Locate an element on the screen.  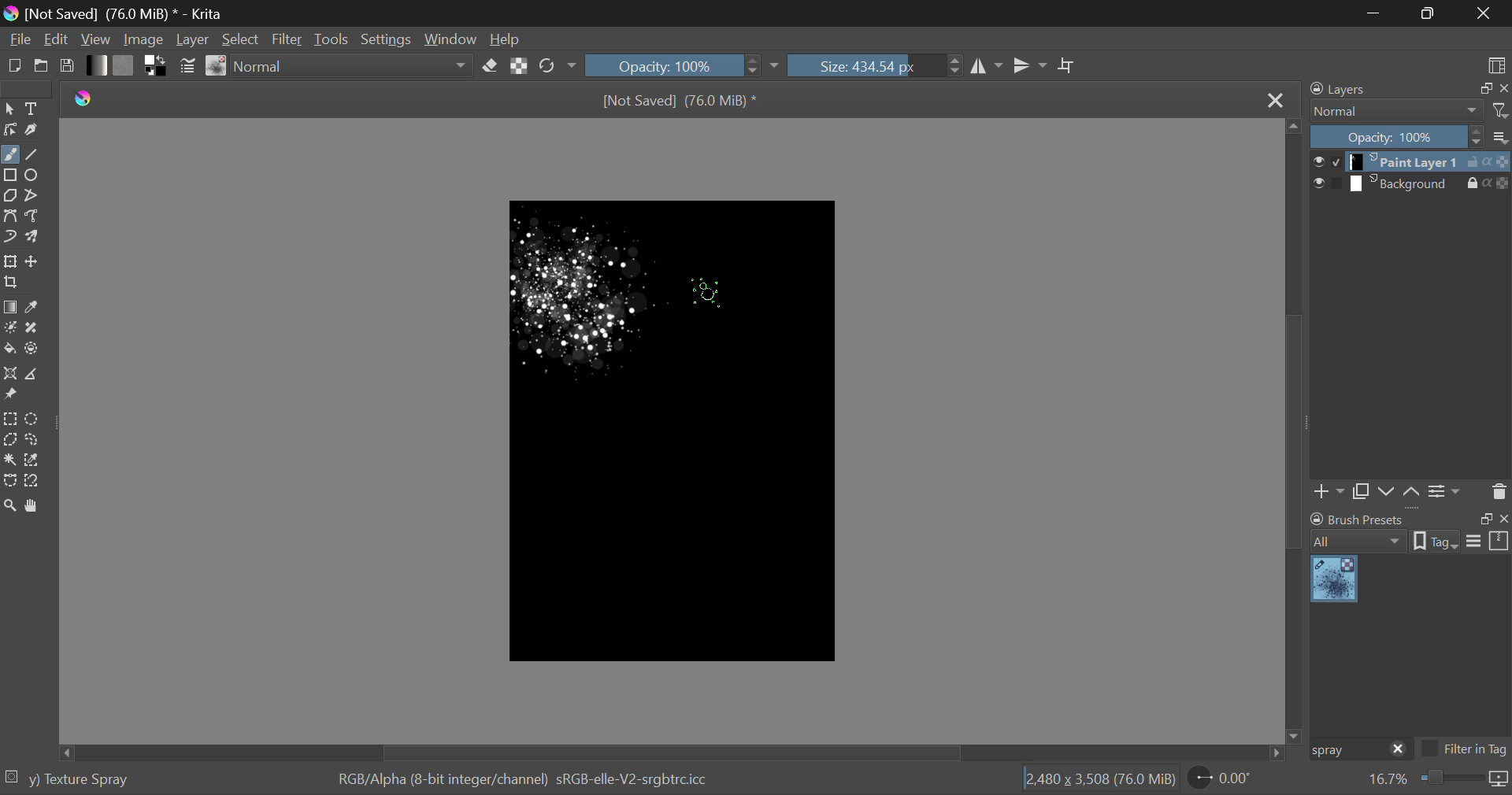
zoom slider is located at coordinates (1450, 779).